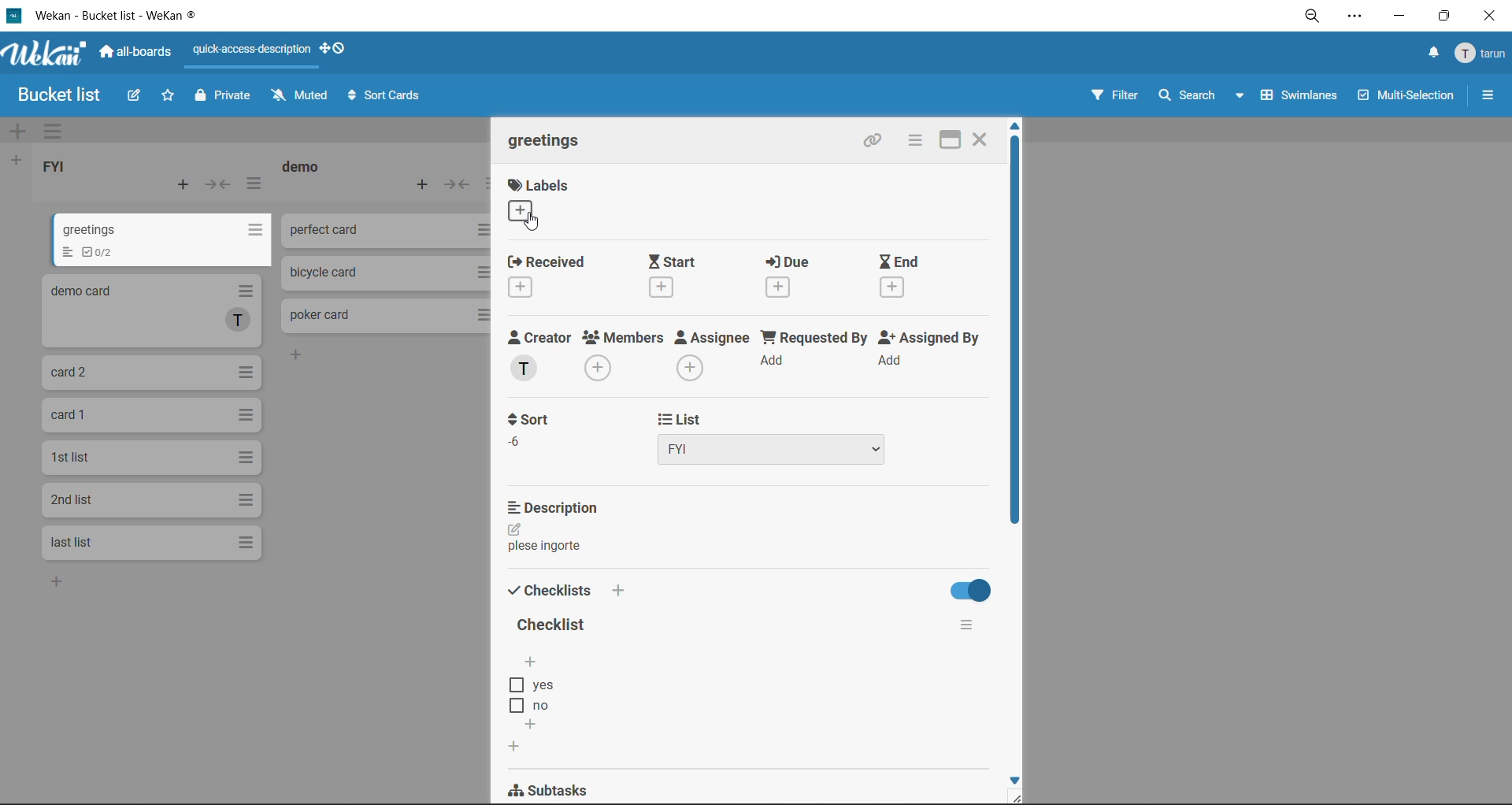 The height and width of the screenshot is (805, 1512). What do you see at coordinates (533, 662) in the screenshot?
I see `add checklist options` at bounding box center [533, 662].